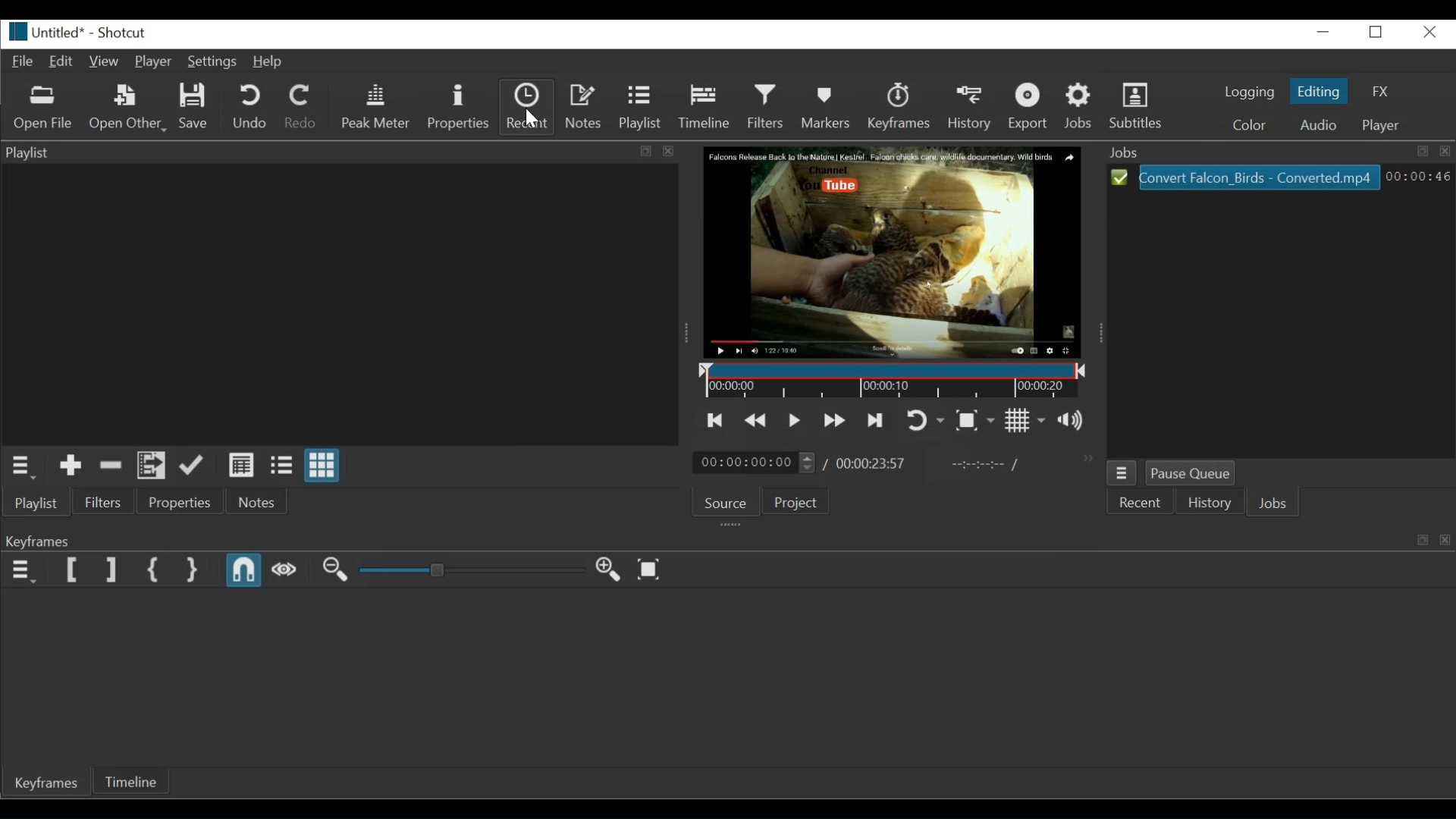 This screenshot has width=1456, height=819. I want to click on 00:00:46(Elapsed Hours: Minutes: Seconds), so click(1418, 176).